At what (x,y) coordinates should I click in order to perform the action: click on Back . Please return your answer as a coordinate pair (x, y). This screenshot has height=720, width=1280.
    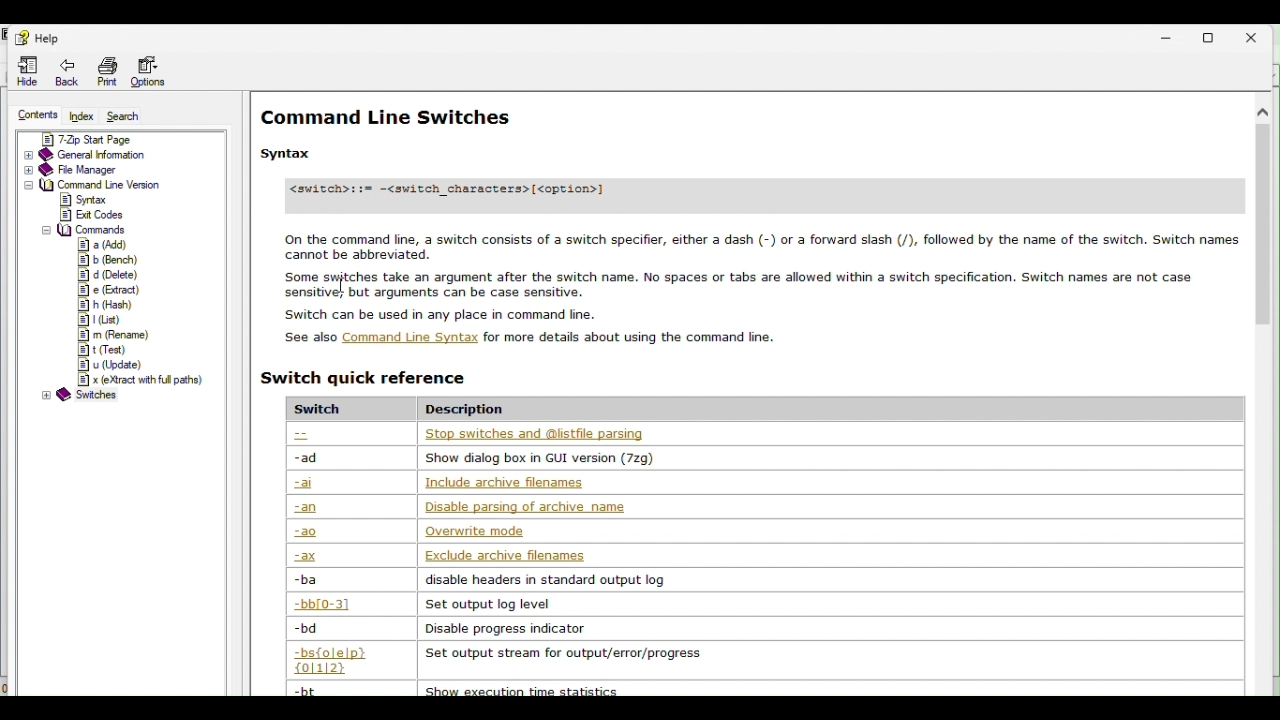
    Looking at the image, I should click on (71, 70).